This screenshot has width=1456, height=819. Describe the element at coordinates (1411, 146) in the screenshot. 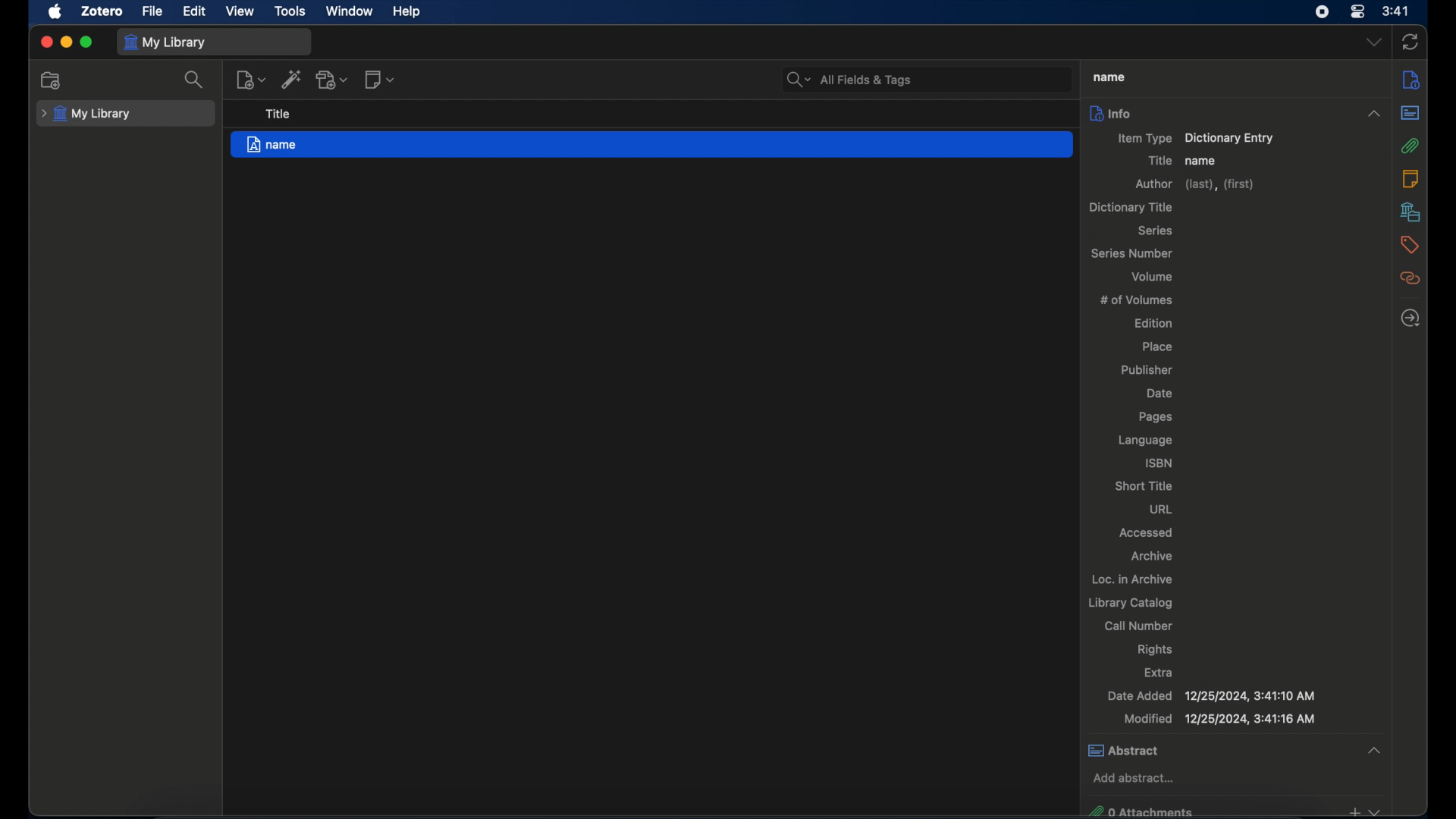

I see `attachments` at that location.